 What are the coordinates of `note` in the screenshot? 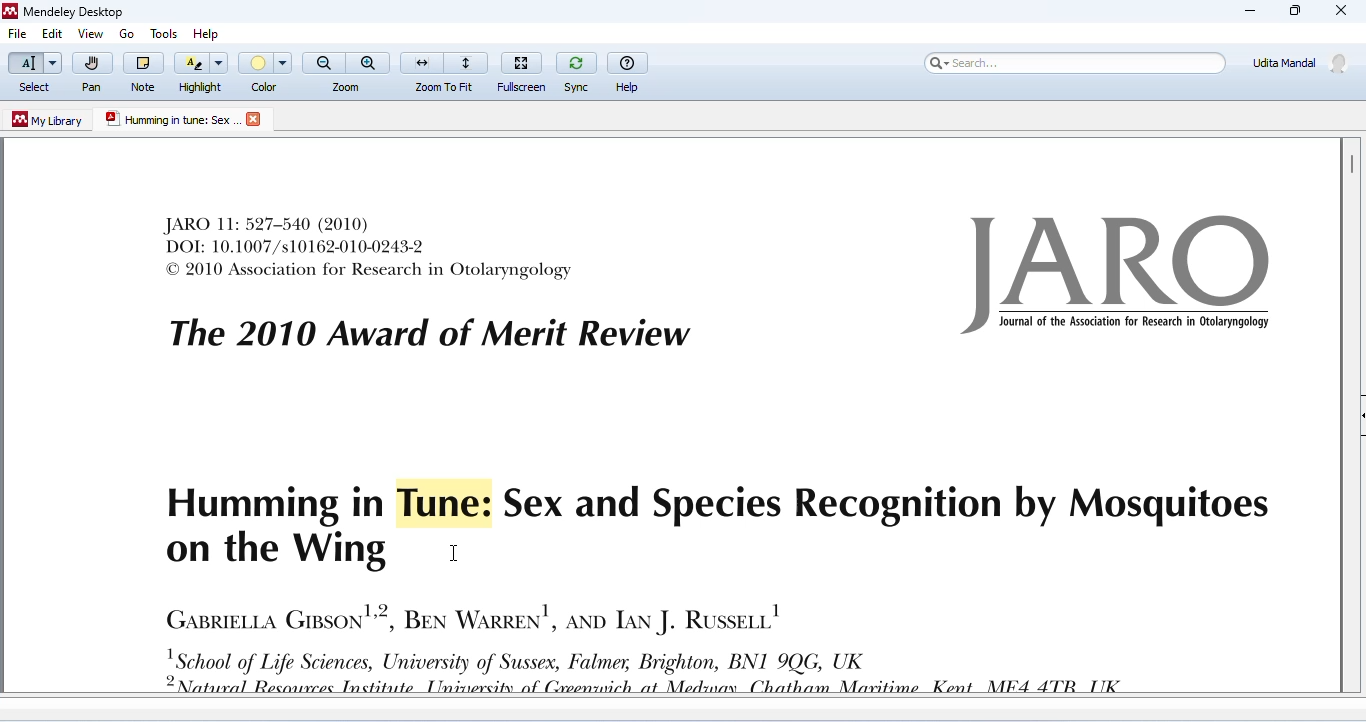 It's located at (143, 71).